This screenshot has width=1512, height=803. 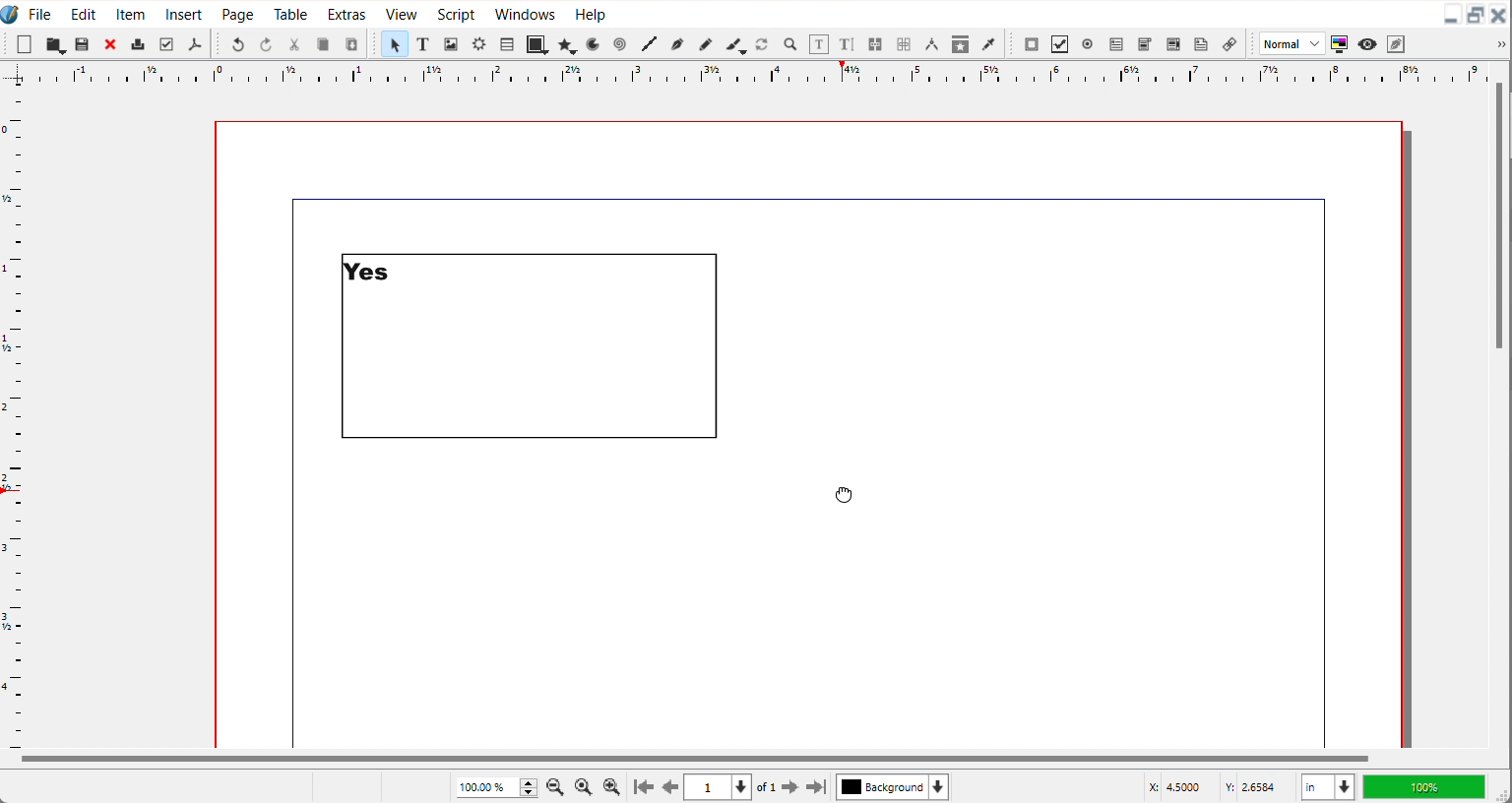 I want to click on Zoom in or out, so click(x=788, y=43).